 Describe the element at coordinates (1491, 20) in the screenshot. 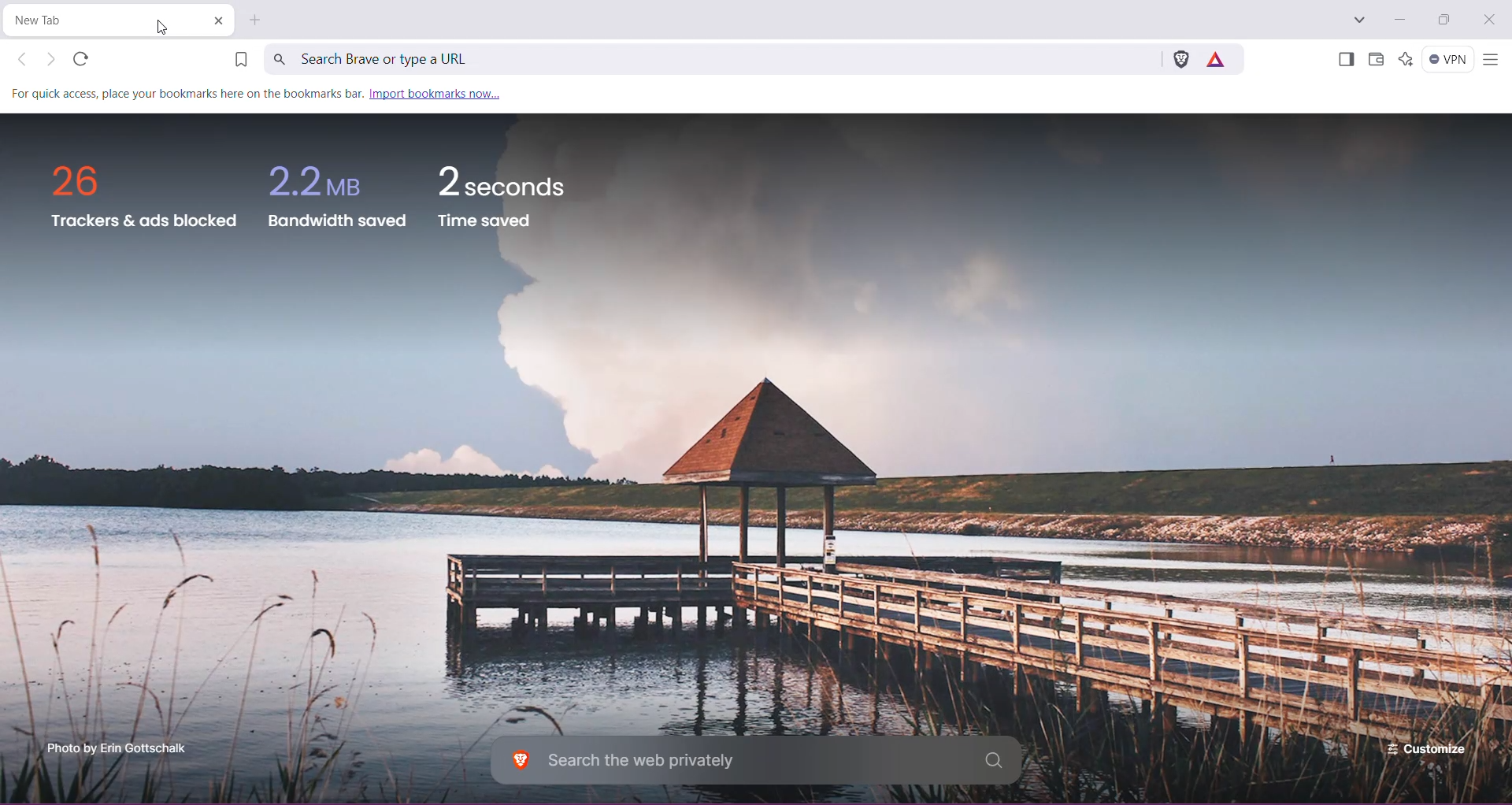

I see `Close` at that location.